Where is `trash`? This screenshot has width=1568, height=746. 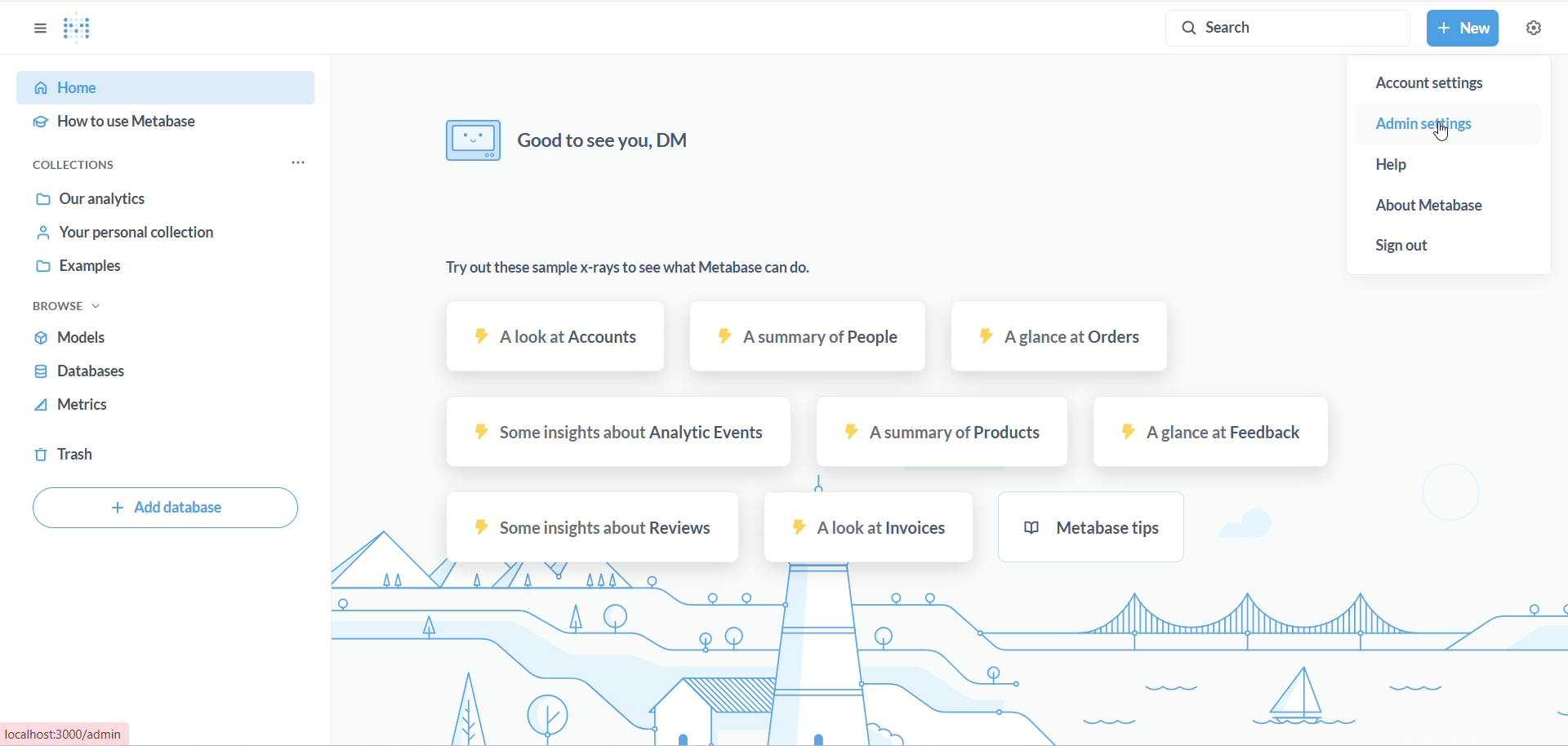 trash is located at coordinates (65, 454).